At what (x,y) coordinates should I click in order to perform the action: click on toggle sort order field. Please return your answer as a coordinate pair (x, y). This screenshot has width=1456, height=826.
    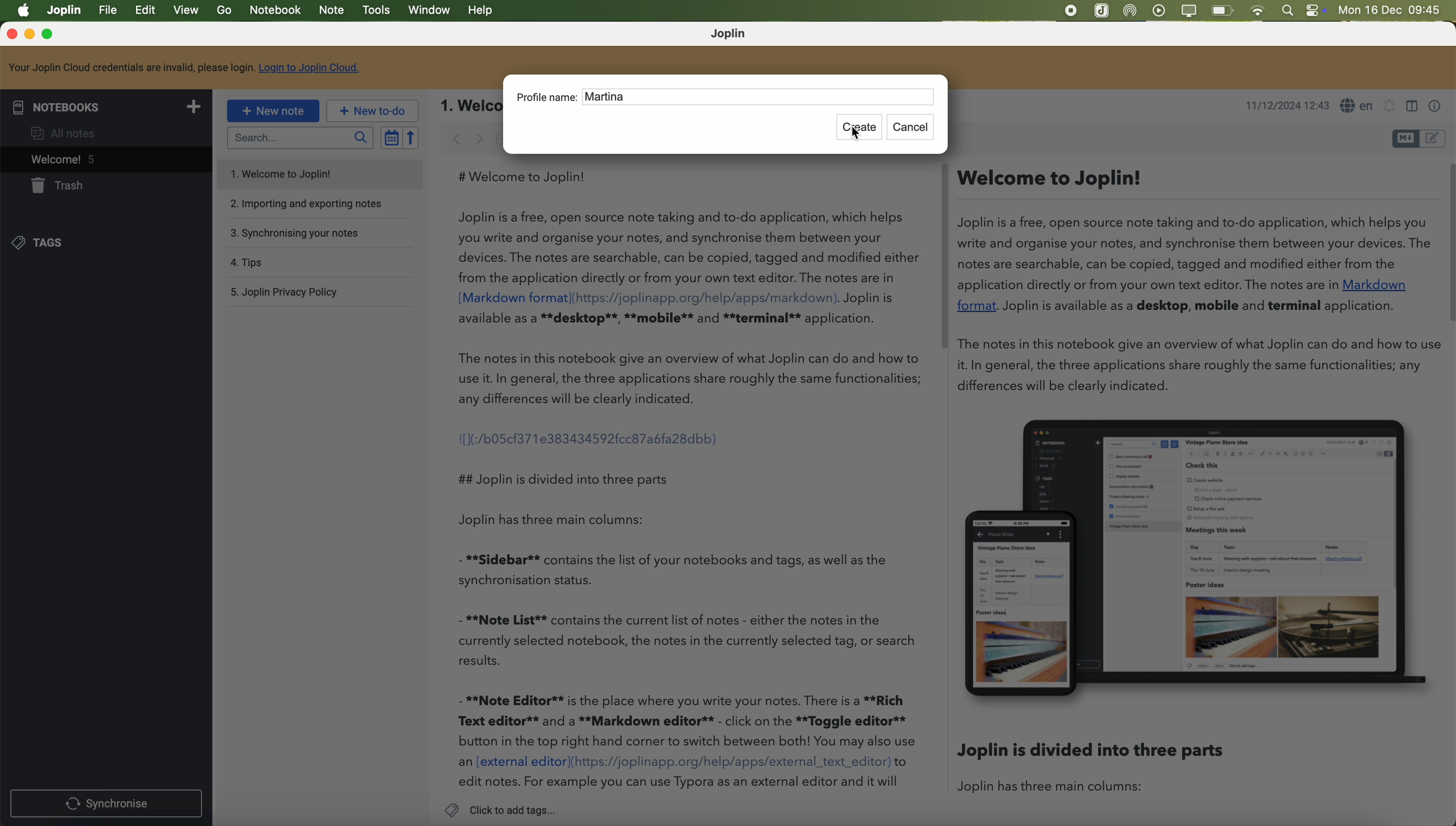
    Looking at the image, I should click on (389, 137).